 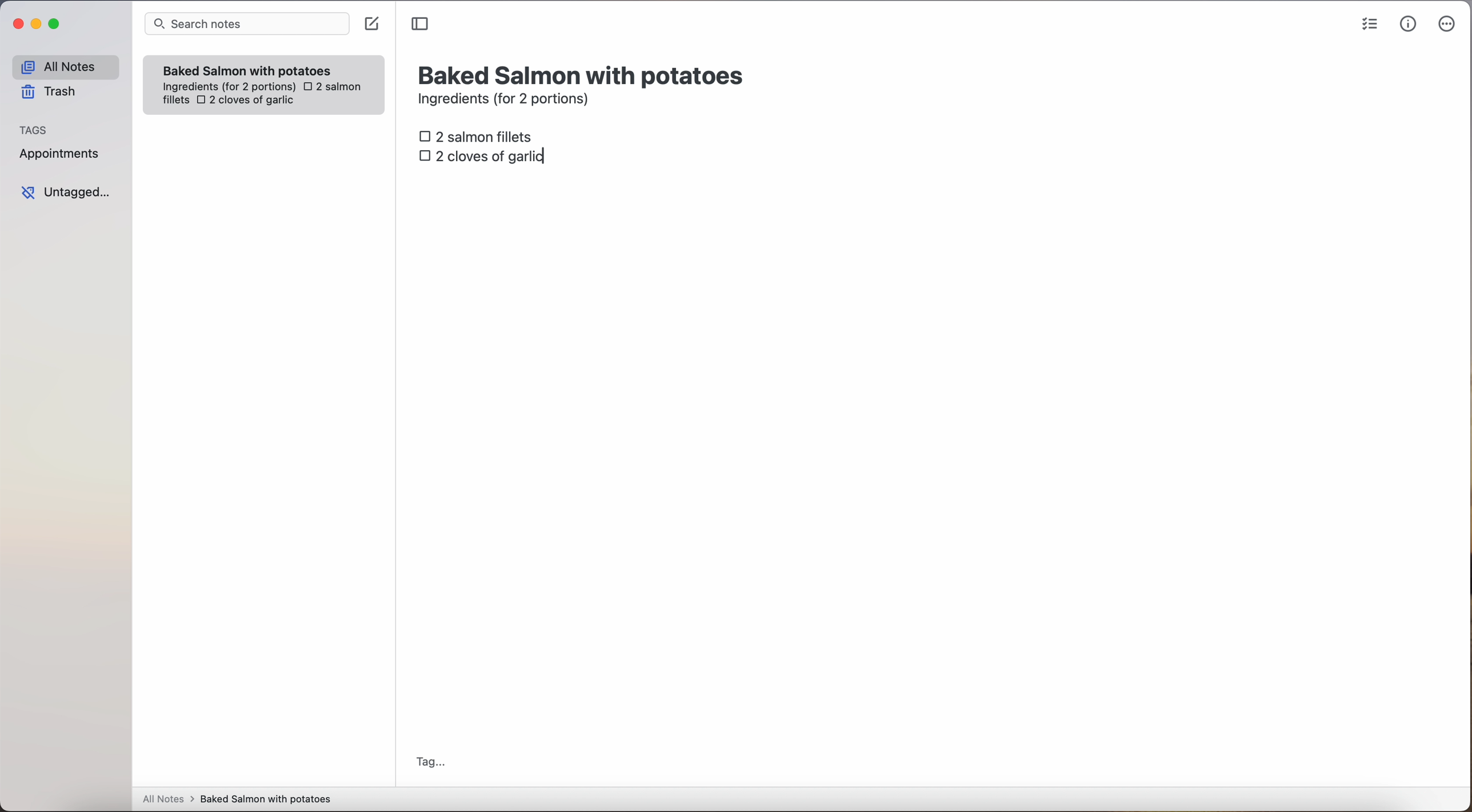 I want to click on tags, so click(x=34, y=129).